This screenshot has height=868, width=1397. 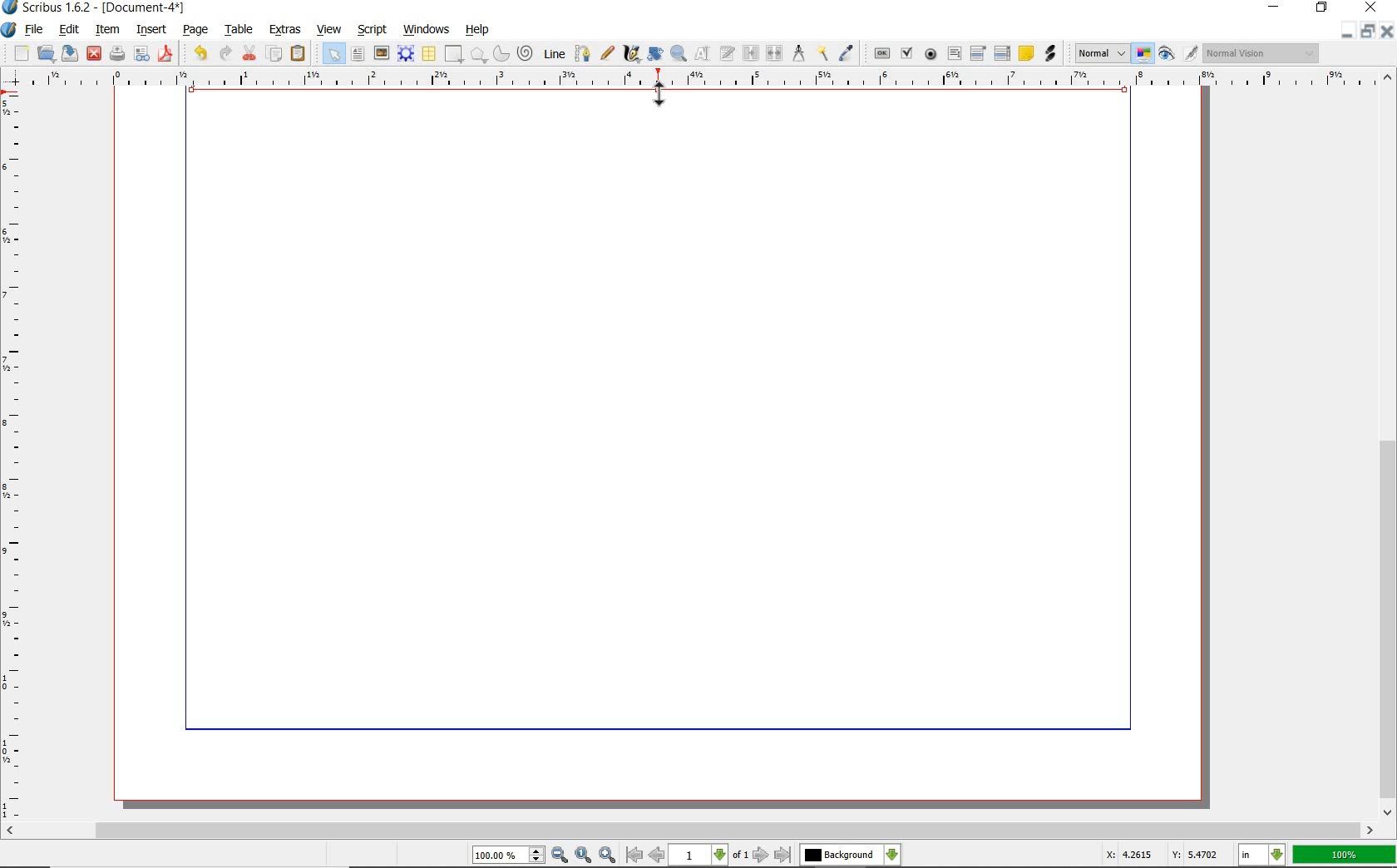 What do you see at coordinates (851, 856) in the screenshot?
I see `Background` at bounding box center [851, 856].